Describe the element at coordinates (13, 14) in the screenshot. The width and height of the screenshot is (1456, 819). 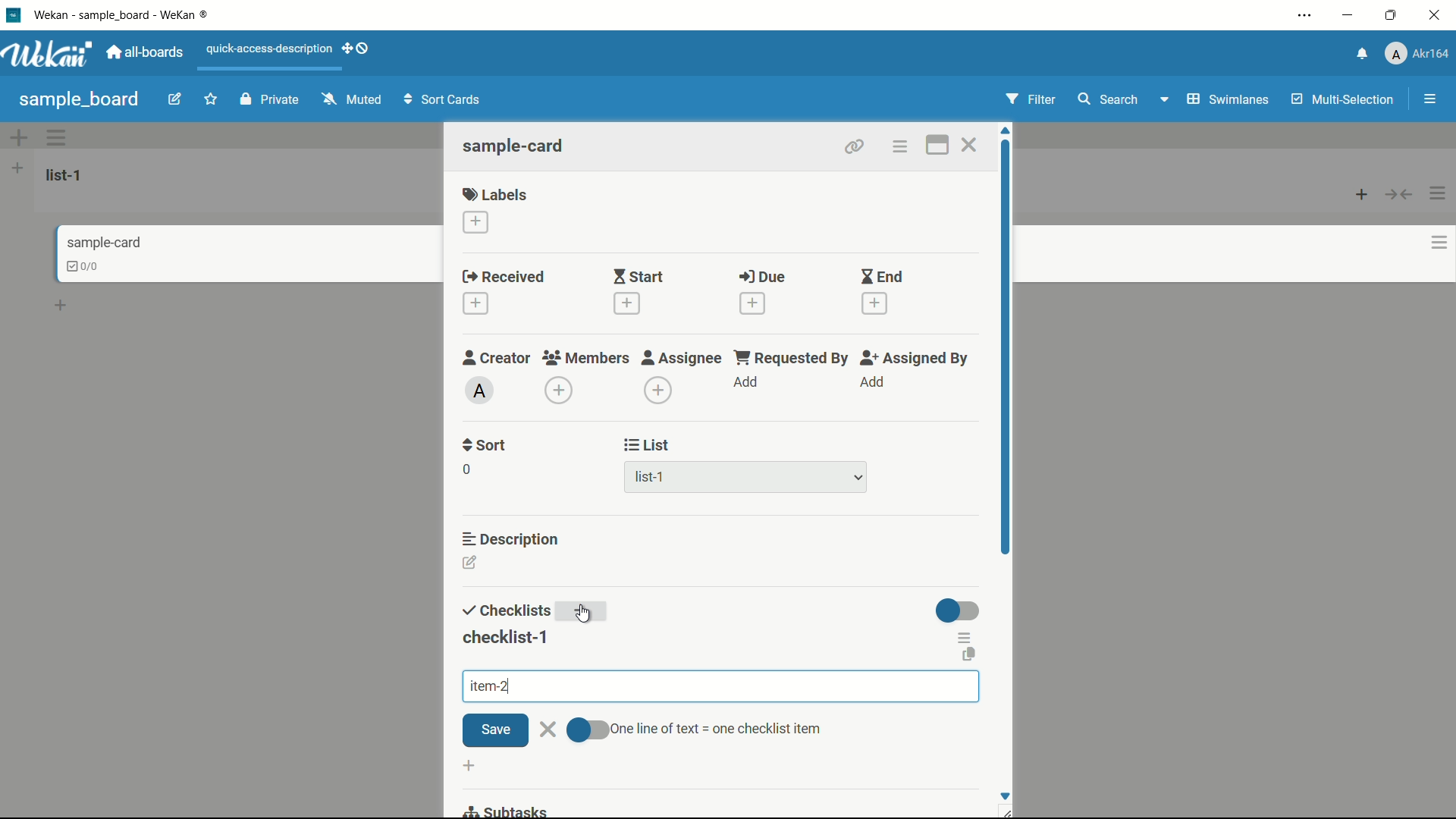
I see `app icon` at that location.